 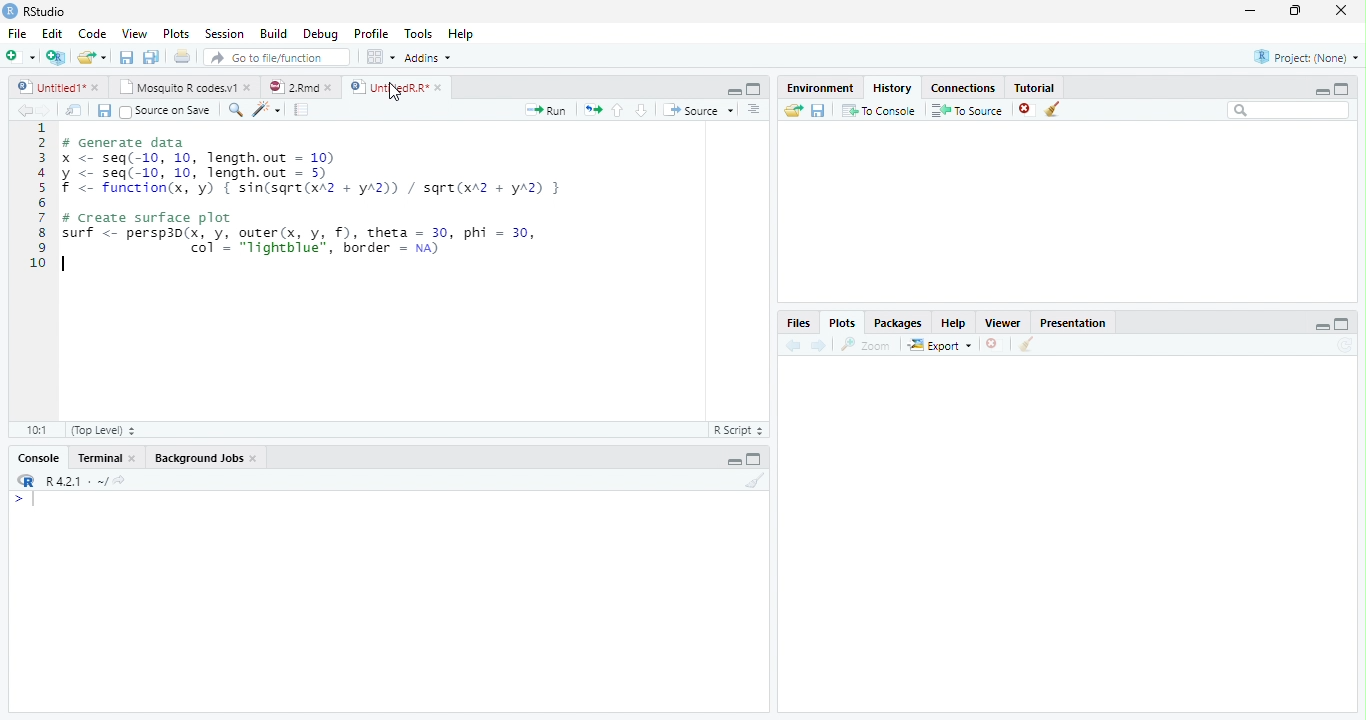 I want to click on Viewer, so click(x=1002, y=322).